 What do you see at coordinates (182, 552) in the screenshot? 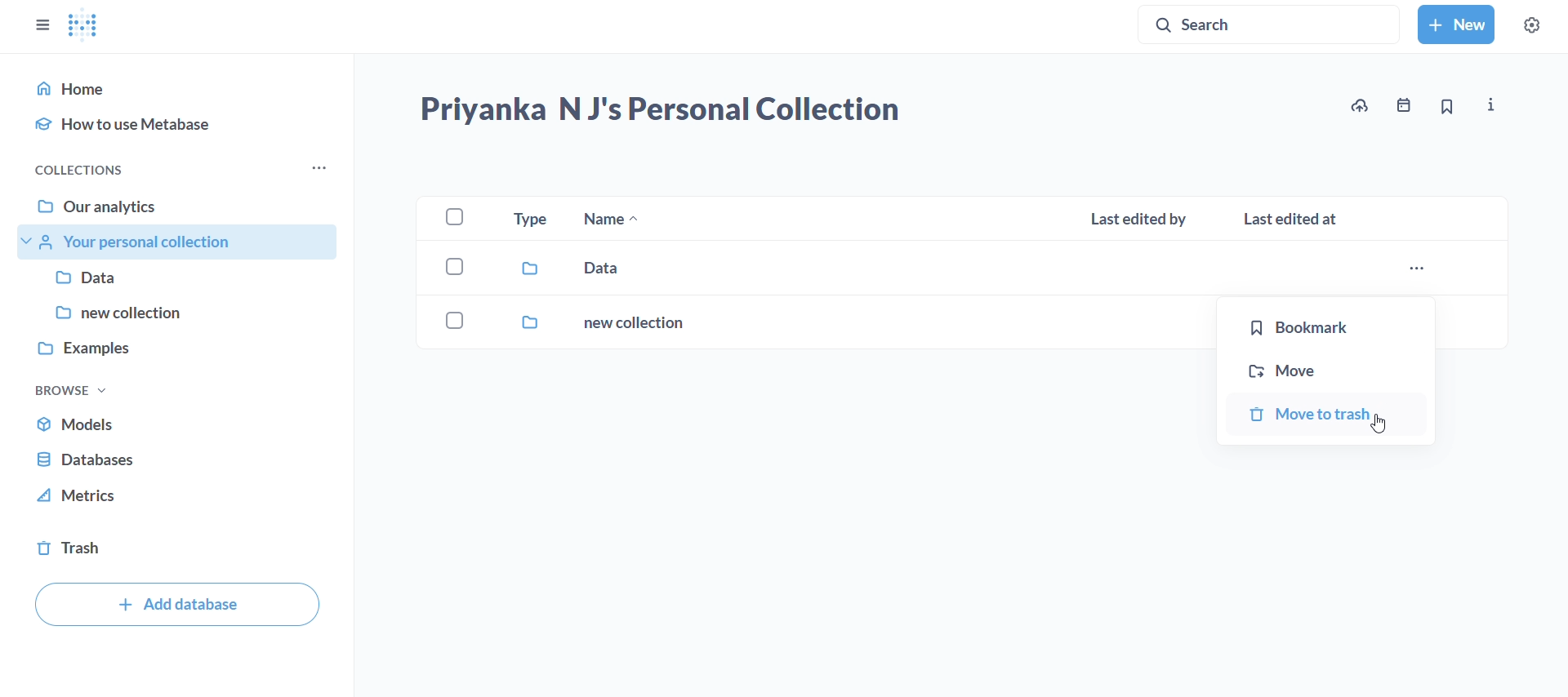
I see `trash` at bounding box center [182, 552].